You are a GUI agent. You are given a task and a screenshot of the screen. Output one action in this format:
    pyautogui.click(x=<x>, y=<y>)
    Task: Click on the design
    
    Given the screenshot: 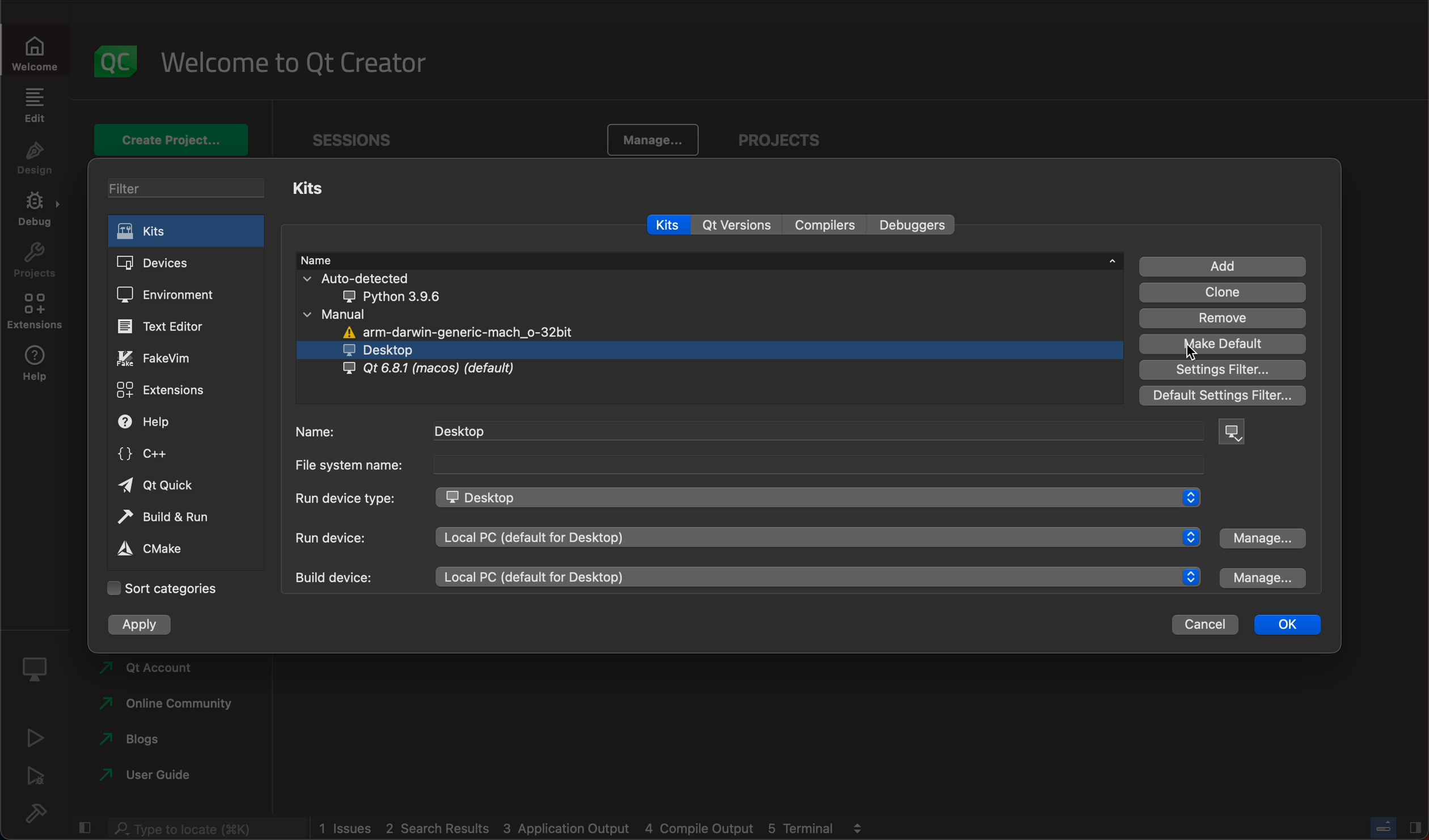 What is the action you would take?
    pyautogui.click(x=36, y=160)
    